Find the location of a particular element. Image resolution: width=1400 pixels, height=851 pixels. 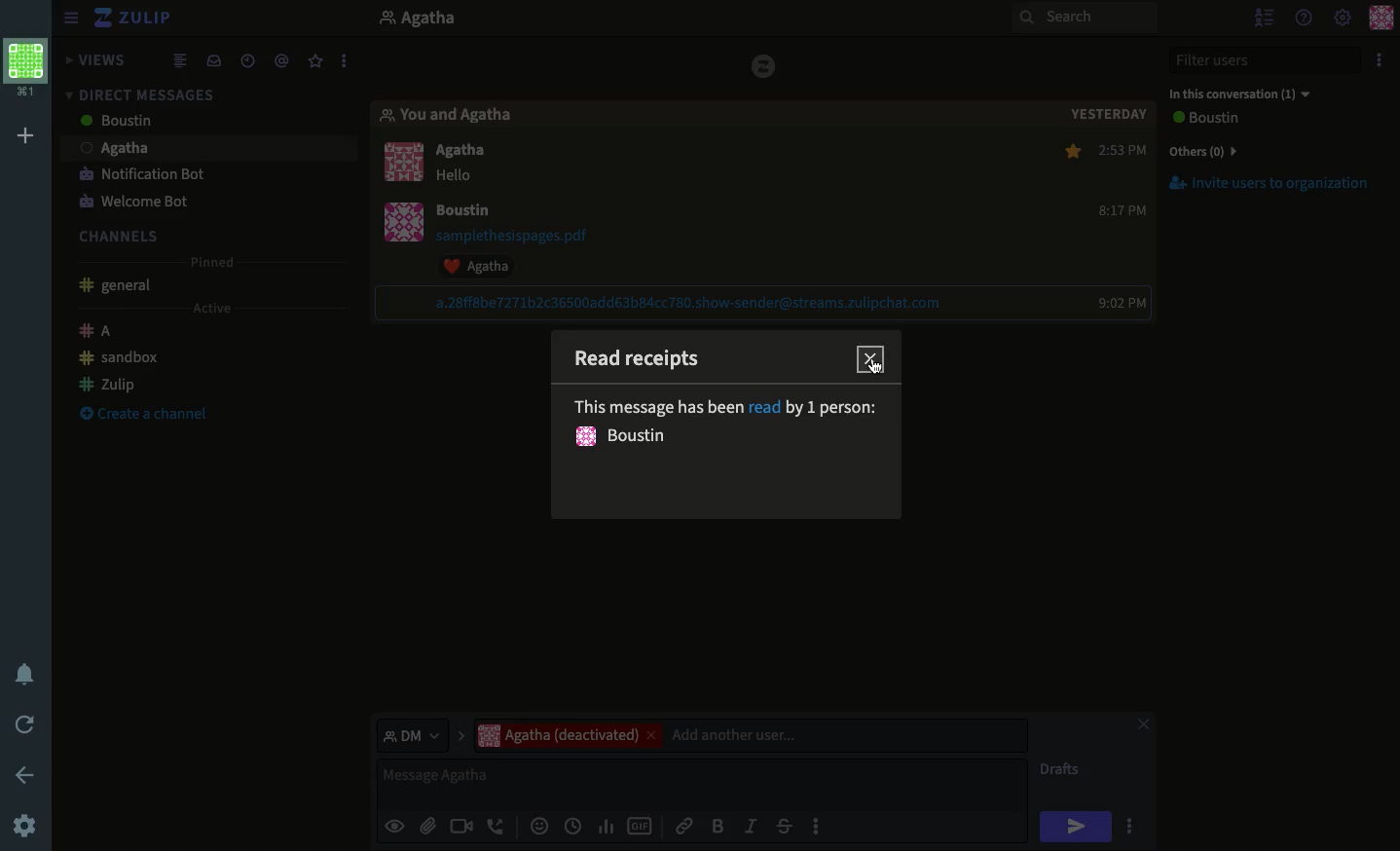

GIF is located at coordinates (640, 828).